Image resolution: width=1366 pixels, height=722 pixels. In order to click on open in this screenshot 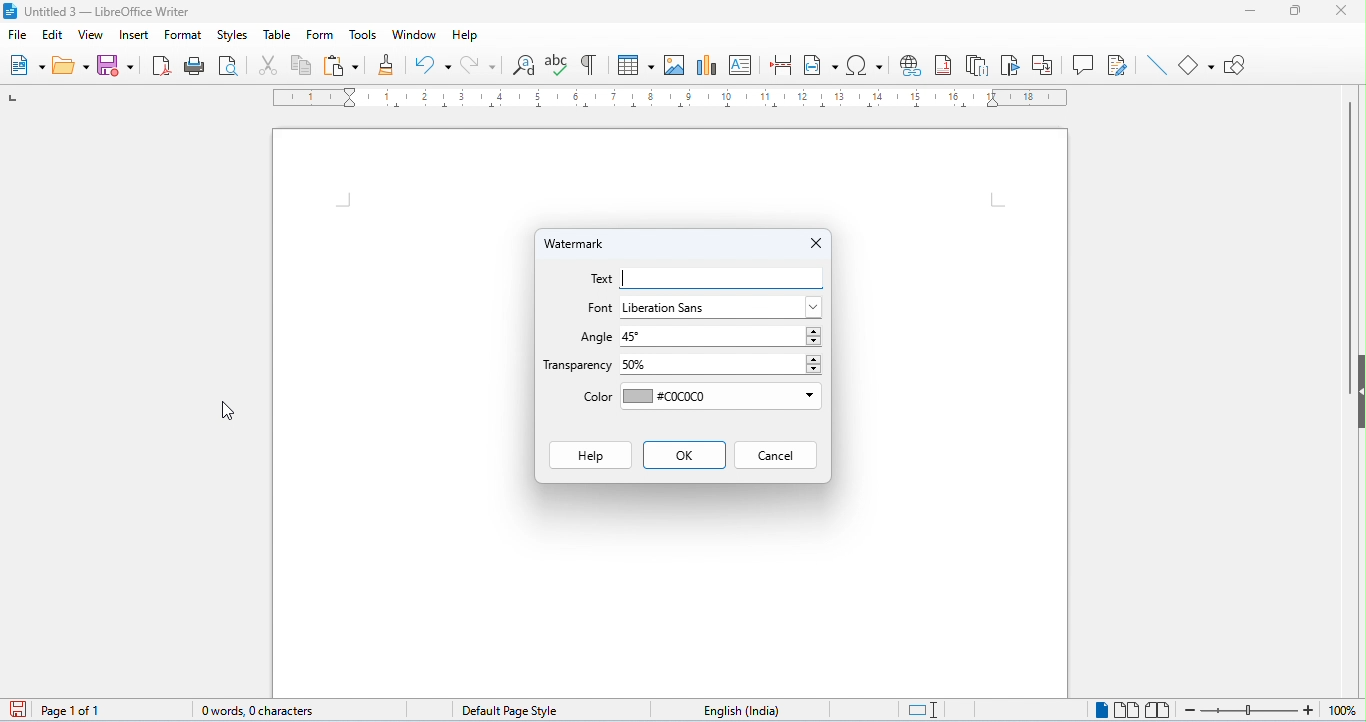, I will do `click(71, 65)`.